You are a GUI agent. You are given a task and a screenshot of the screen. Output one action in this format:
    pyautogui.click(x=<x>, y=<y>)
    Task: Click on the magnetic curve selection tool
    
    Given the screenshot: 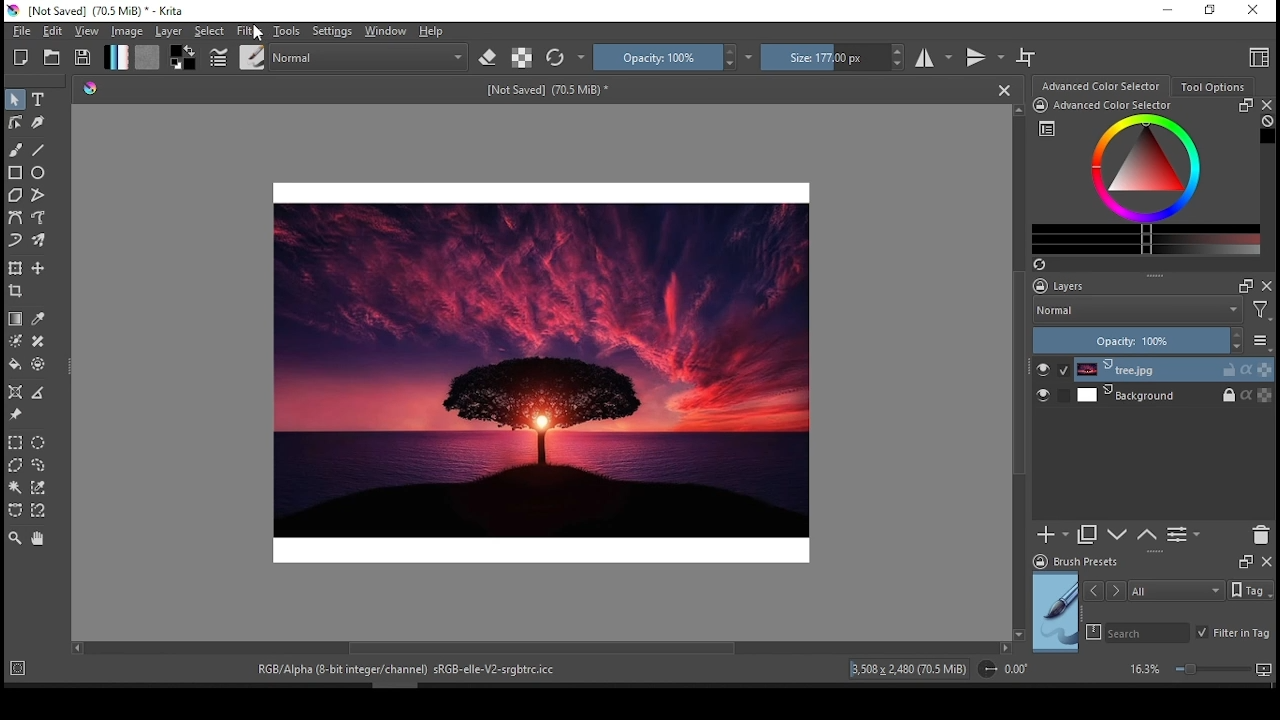 What is the action you would take?
    pyautogui.click(x=40, y=511)
    